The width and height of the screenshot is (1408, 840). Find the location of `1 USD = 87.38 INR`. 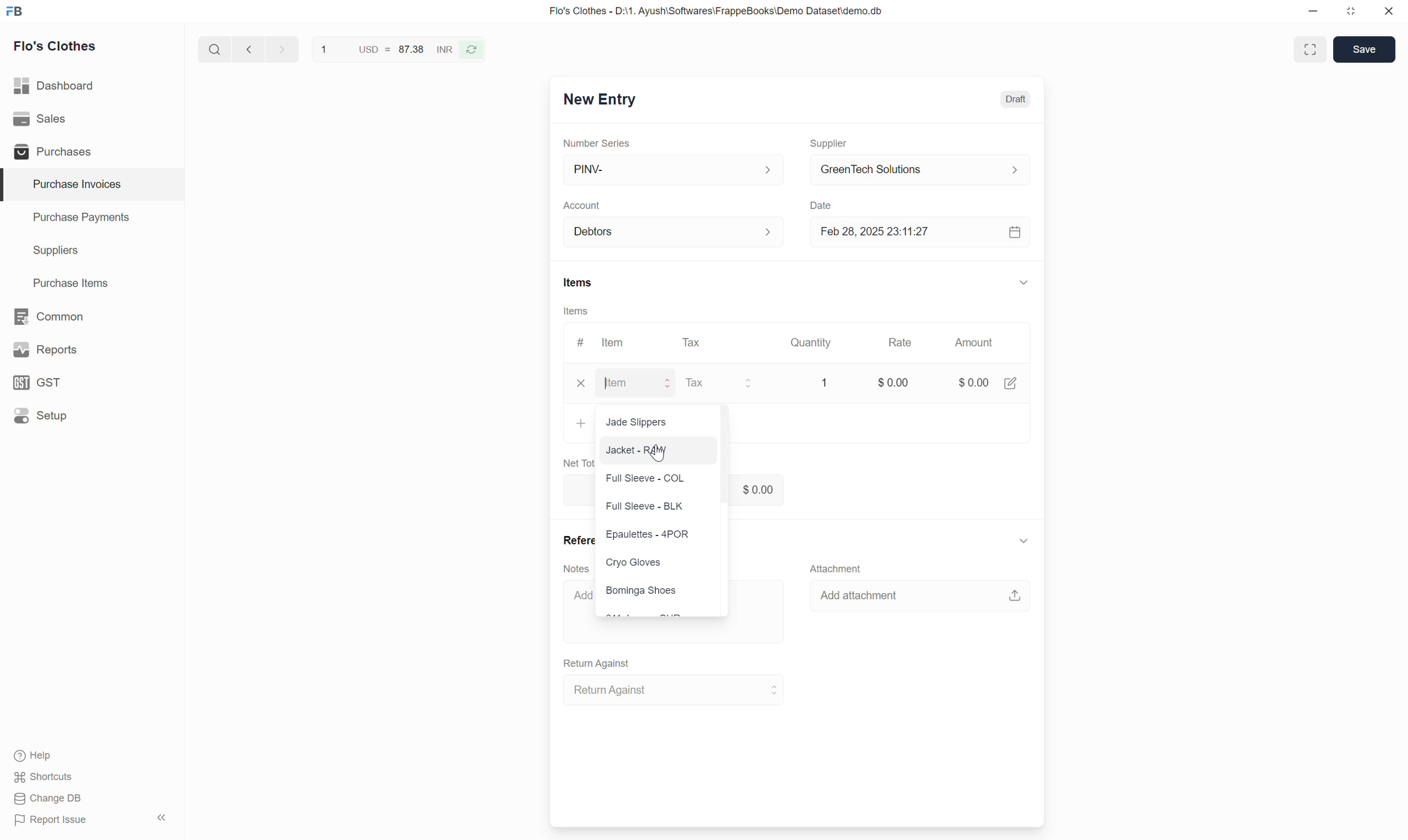

1 USD = 87.38 INR is located at coordinates (382, 49).